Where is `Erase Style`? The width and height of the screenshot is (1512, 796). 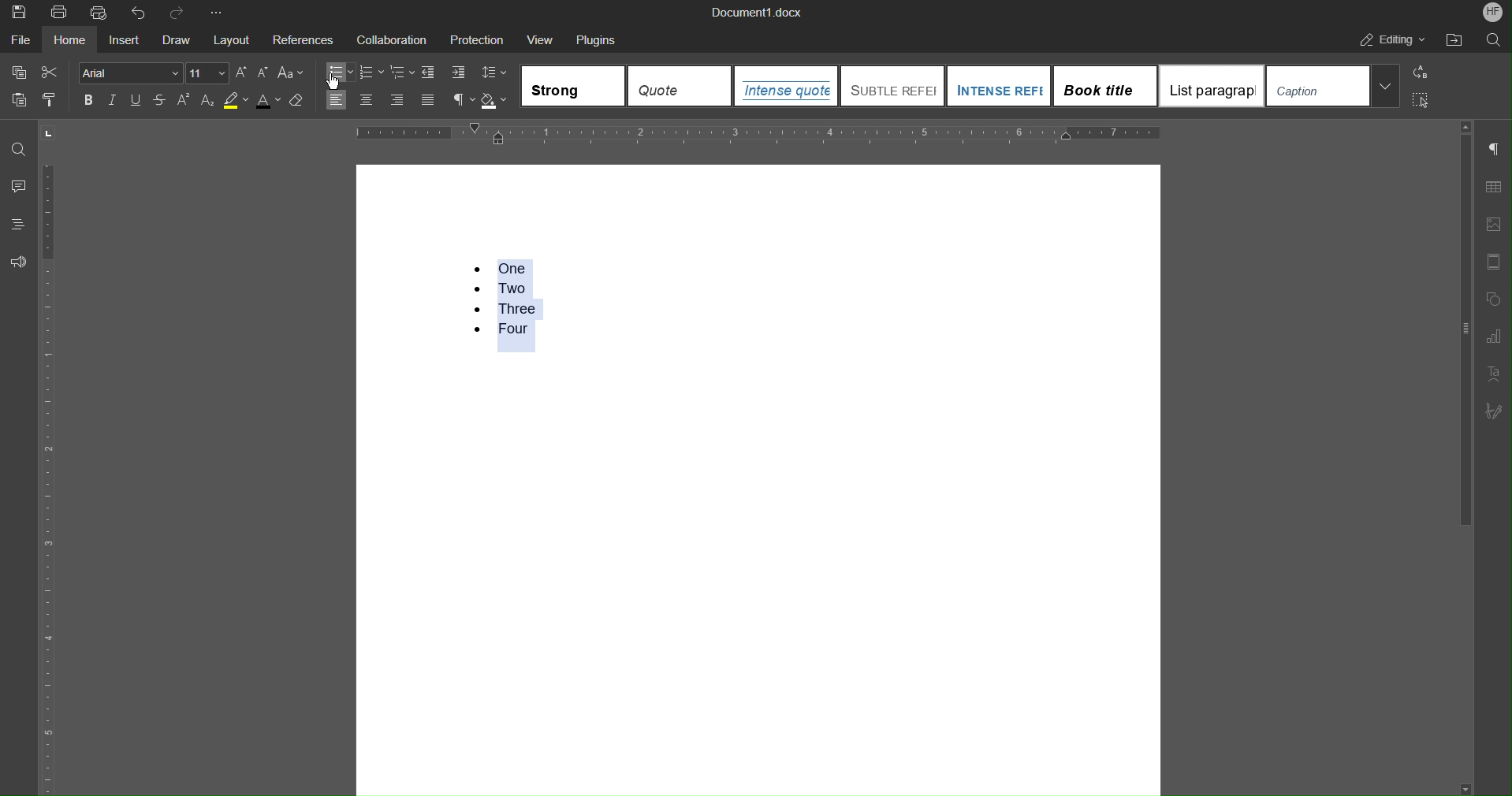
Erase Style is located at coordinates (298, 101).